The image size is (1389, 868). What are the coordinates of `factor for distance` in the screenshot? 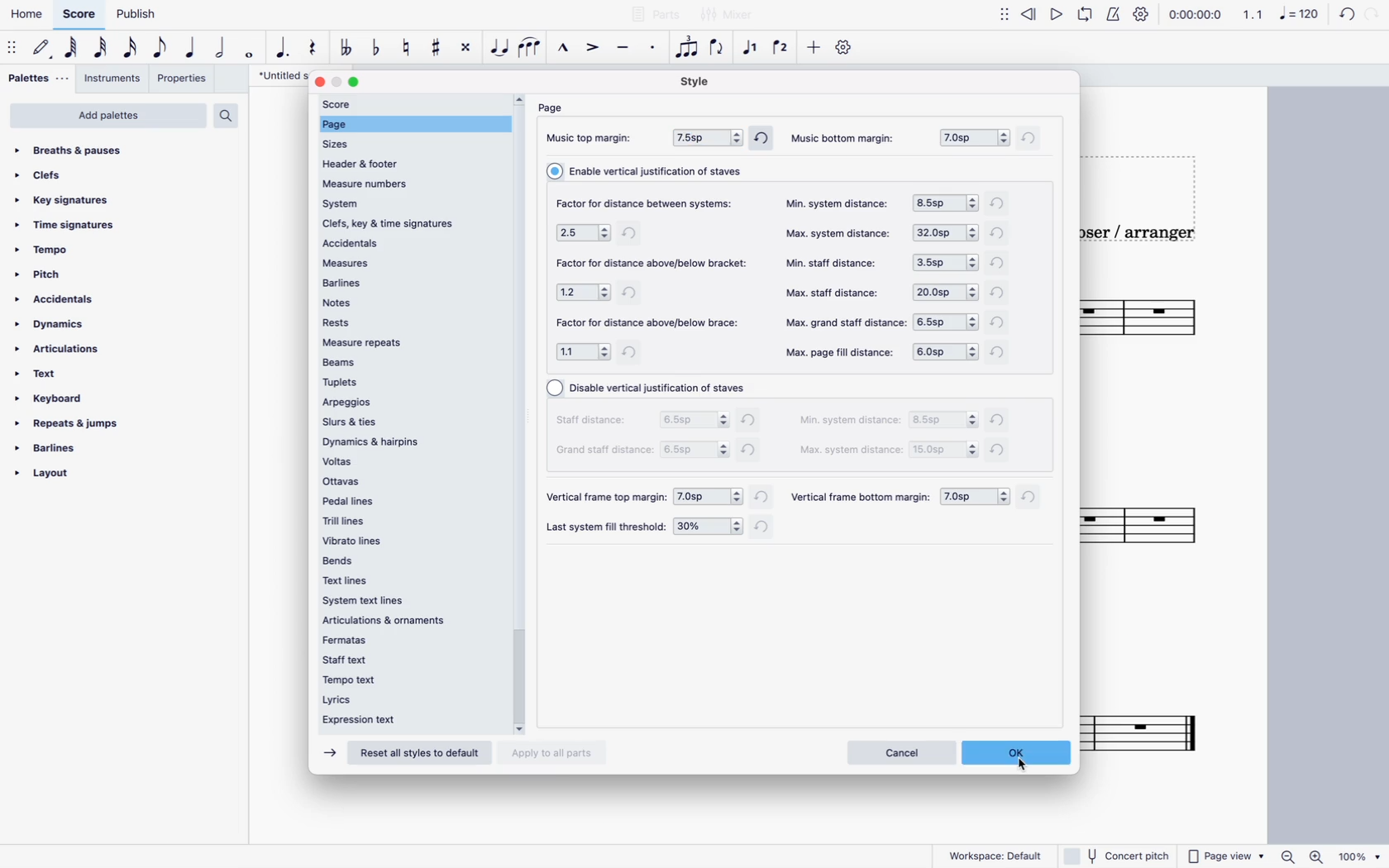 It's located at (650, 324).